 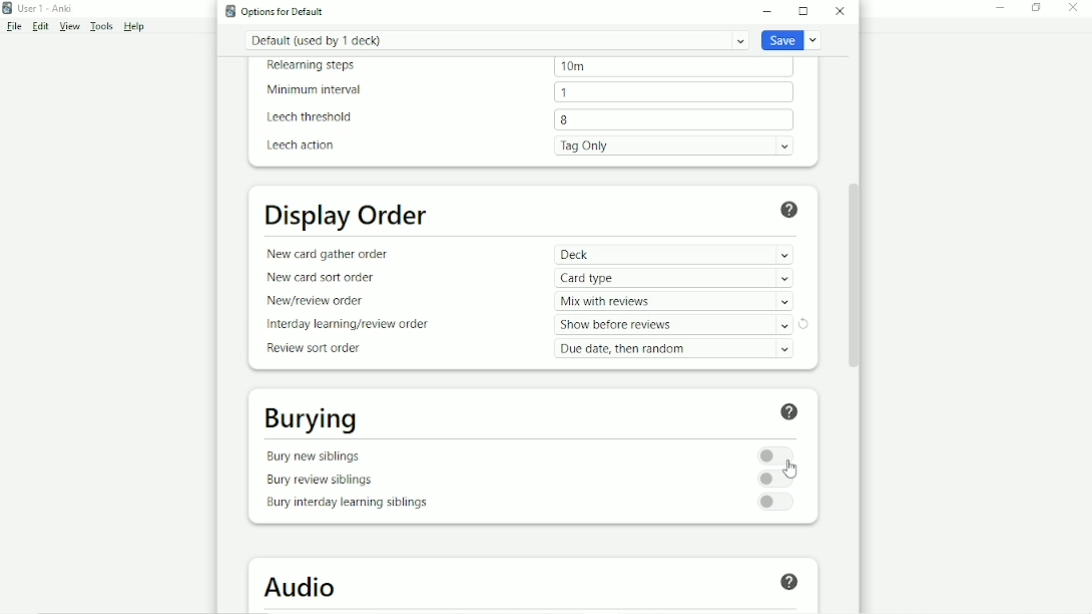 What do you see at coordinates (776, 503) in the screenshot?
I see `Toggle on/off` at bounding box center [776, 503].